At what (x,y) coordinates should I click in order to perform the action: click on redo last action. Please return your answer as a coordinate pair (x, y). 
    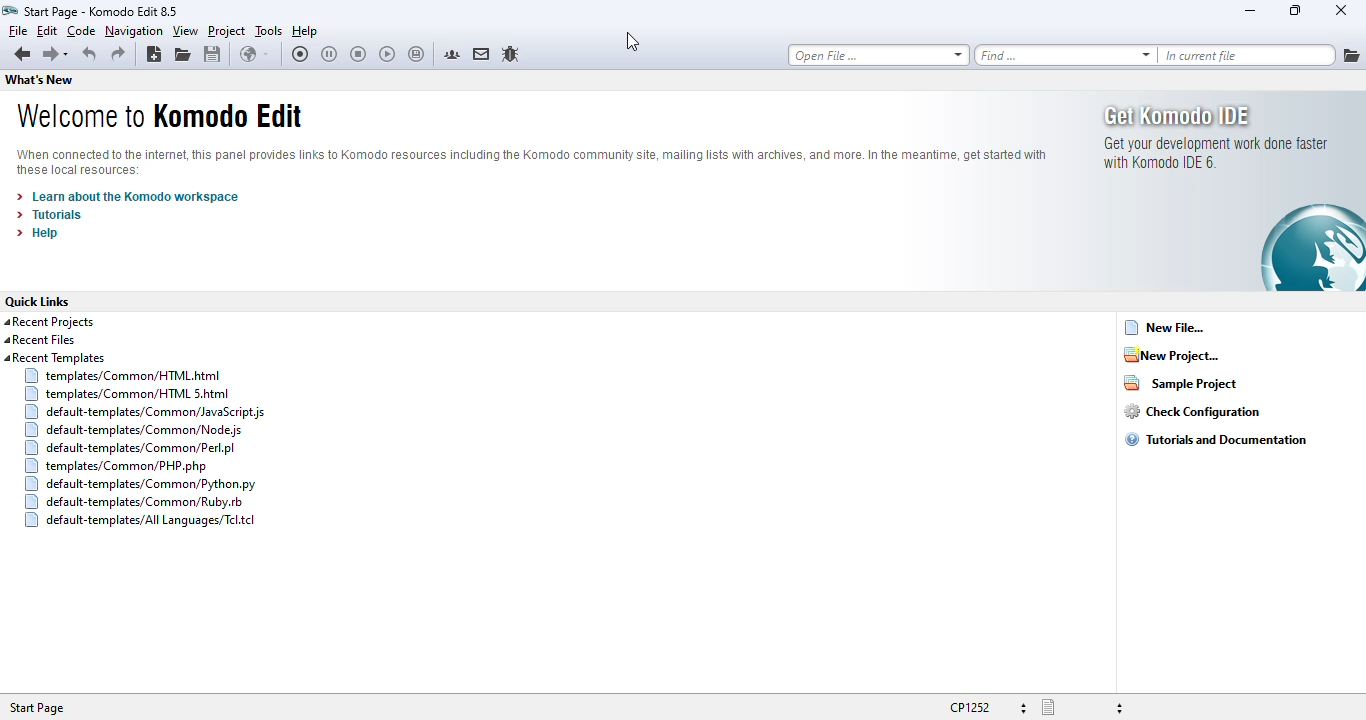
    Looking at the image, I should click on (118, 54).